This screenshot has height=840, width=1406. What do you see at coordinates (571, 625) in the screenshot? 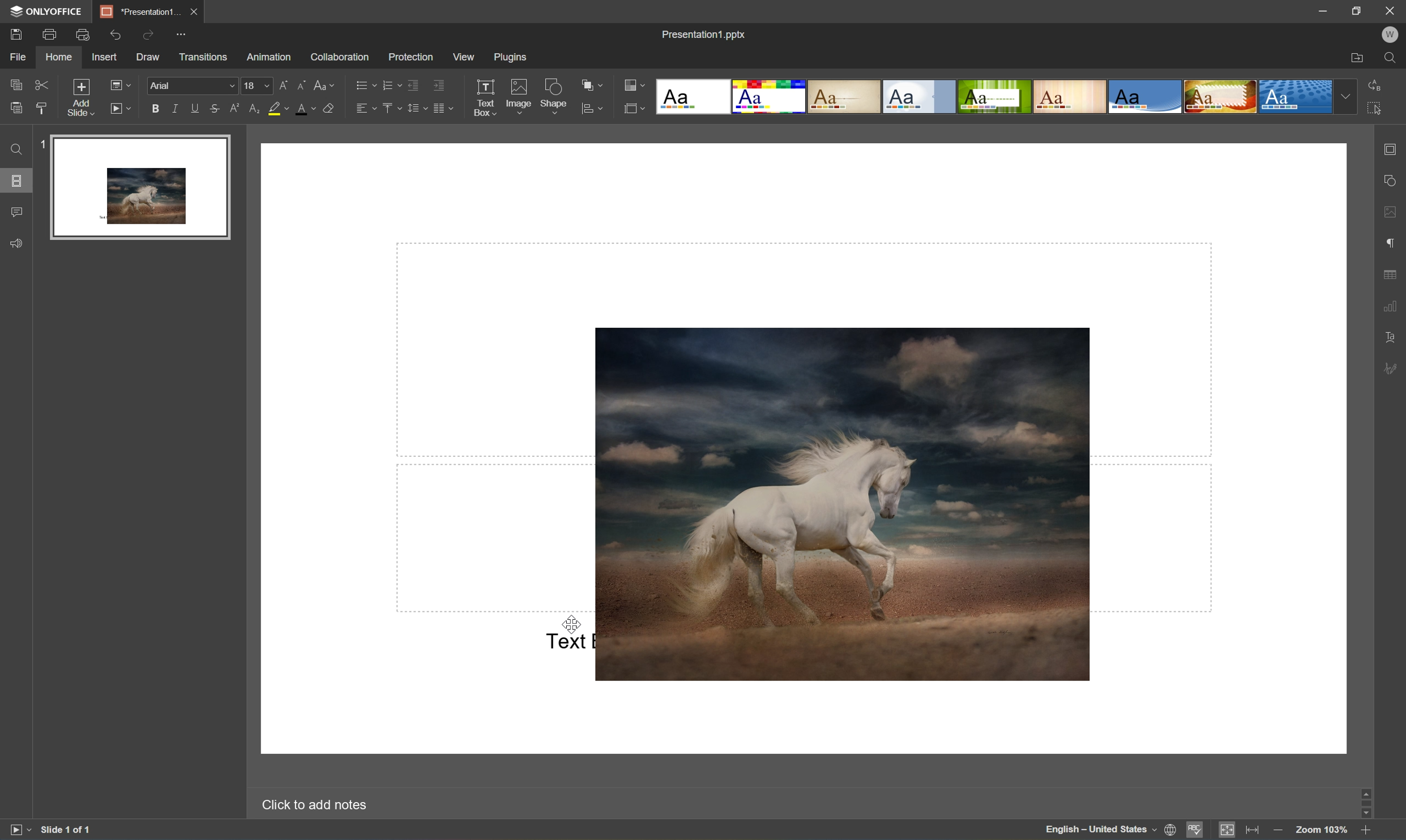
I see `Cursor Position` at bounding box center [571, 625].